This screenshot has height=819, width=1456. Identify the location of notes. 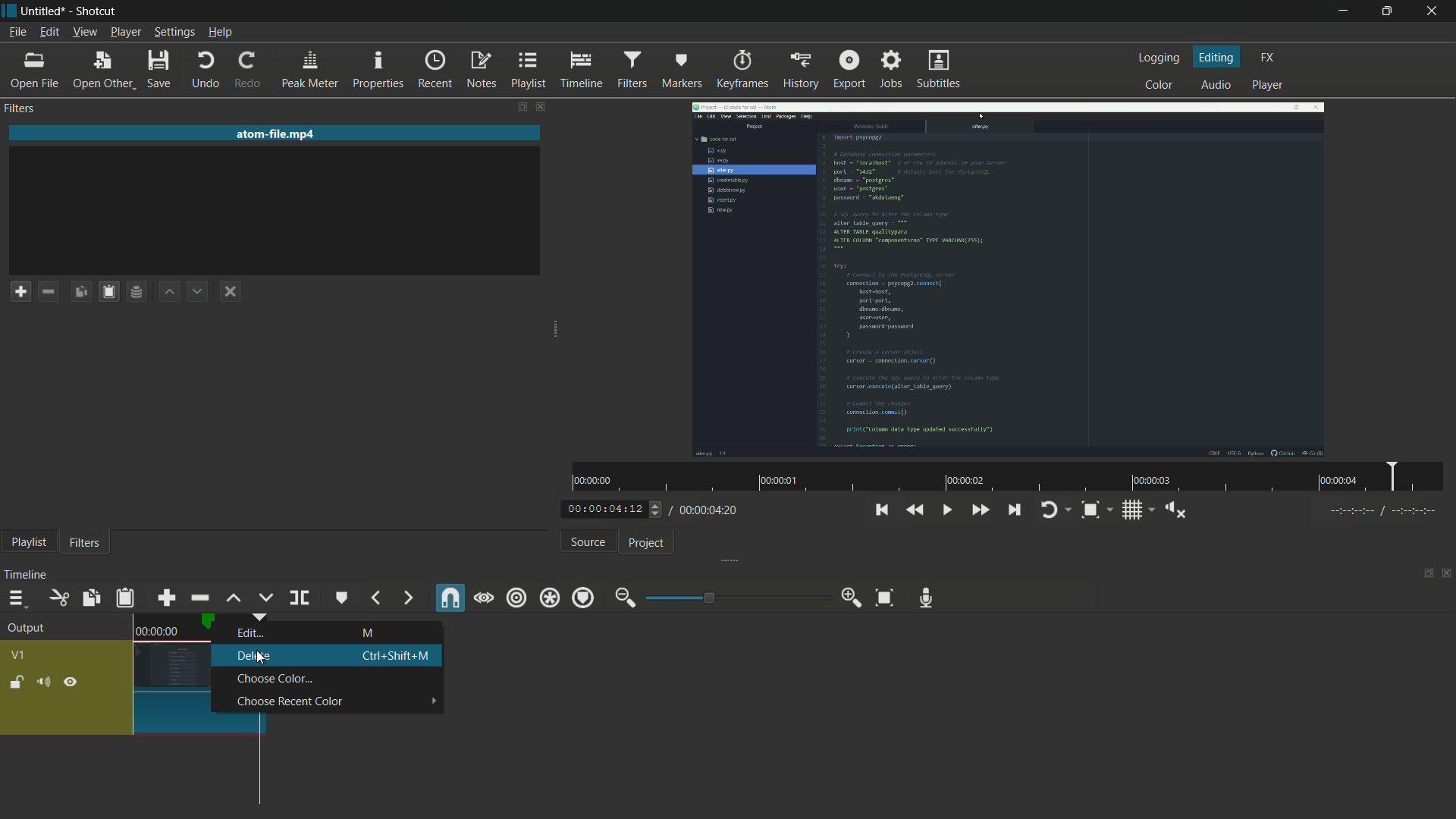
(479, 71).